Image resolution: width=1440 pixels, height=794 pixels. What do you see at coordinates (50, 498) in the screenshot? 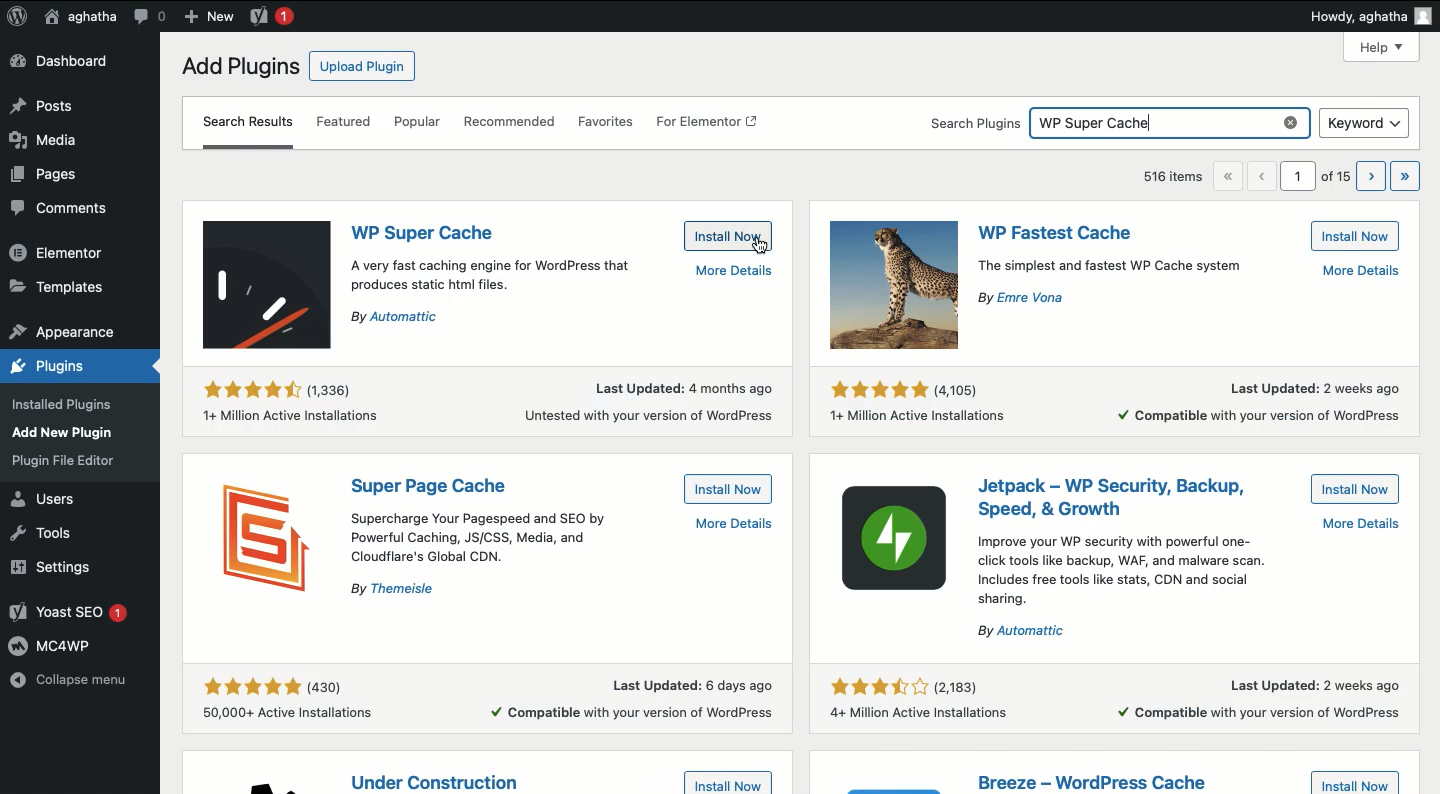
I see `Users` at bounding box center [50, 498].